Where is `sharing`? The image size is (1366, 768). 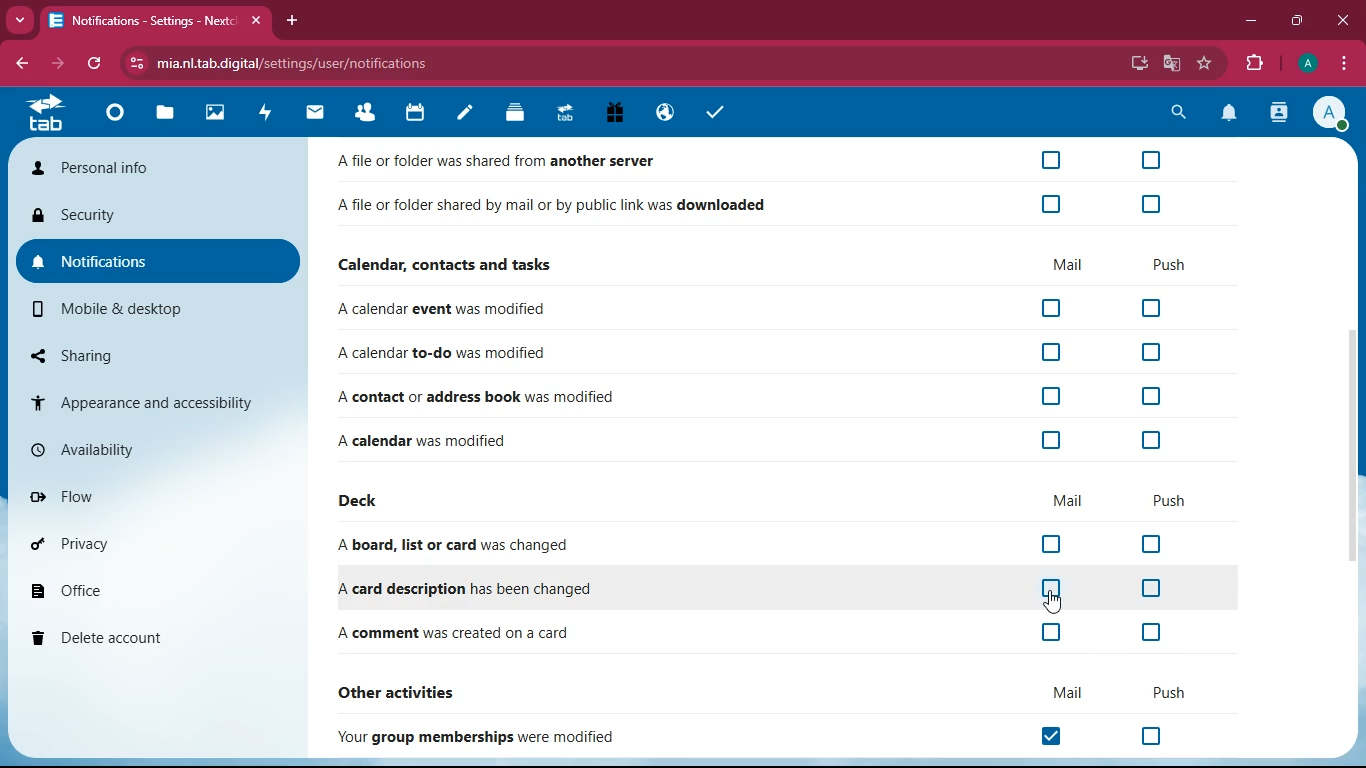 sharing is located at coordinates (161, 355).